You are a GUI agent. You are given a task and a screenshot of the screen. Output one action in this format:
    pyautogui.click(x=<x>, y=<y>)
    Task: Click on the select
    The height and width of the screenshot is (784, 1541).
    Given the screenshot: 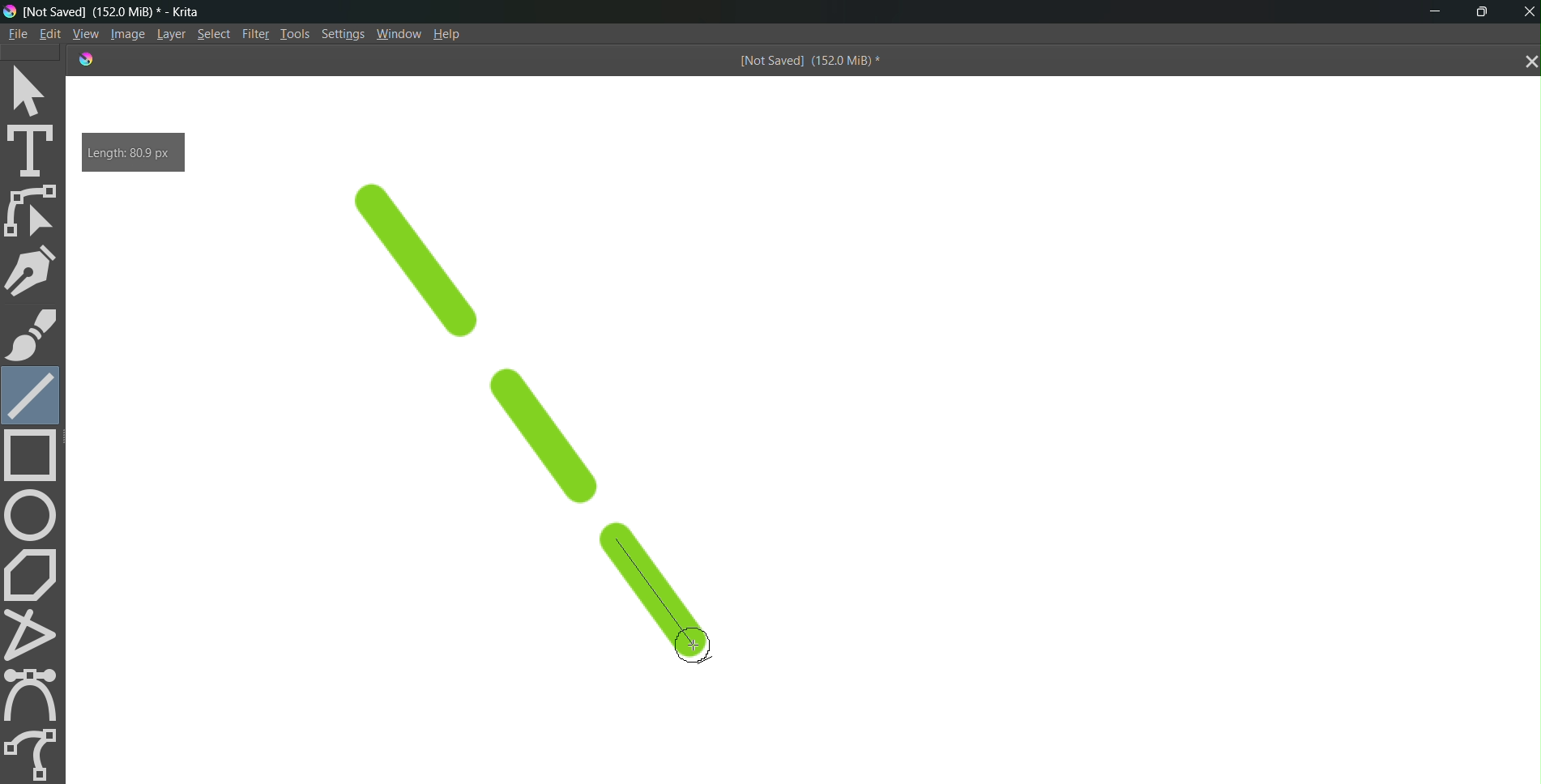 What is the action you would take?
    pyautogui.click(x=35, y=89)
    